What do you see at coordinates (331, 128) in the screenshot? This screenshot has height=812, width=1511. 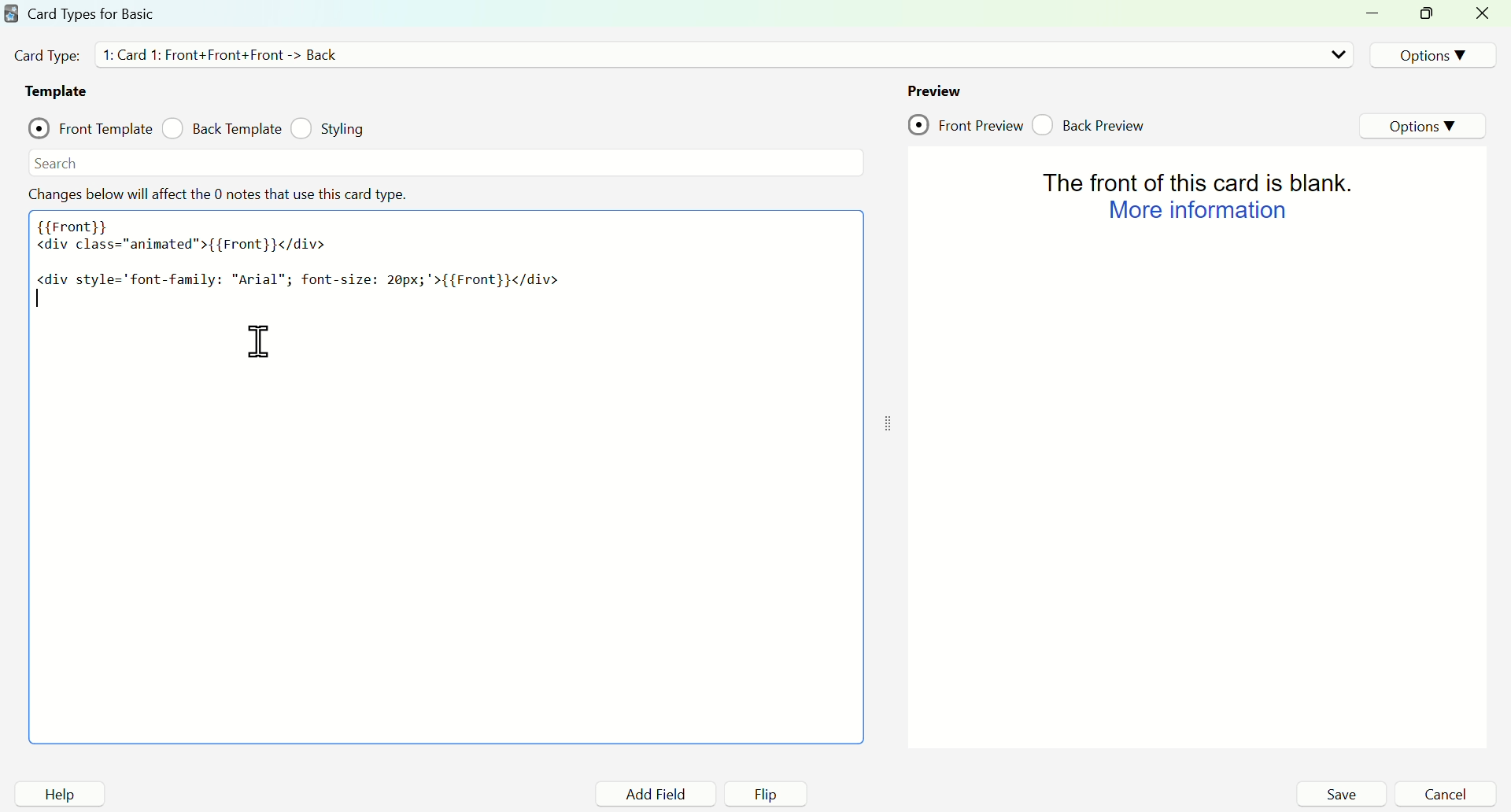 I see `Styling` at bounding box center [331, 128].